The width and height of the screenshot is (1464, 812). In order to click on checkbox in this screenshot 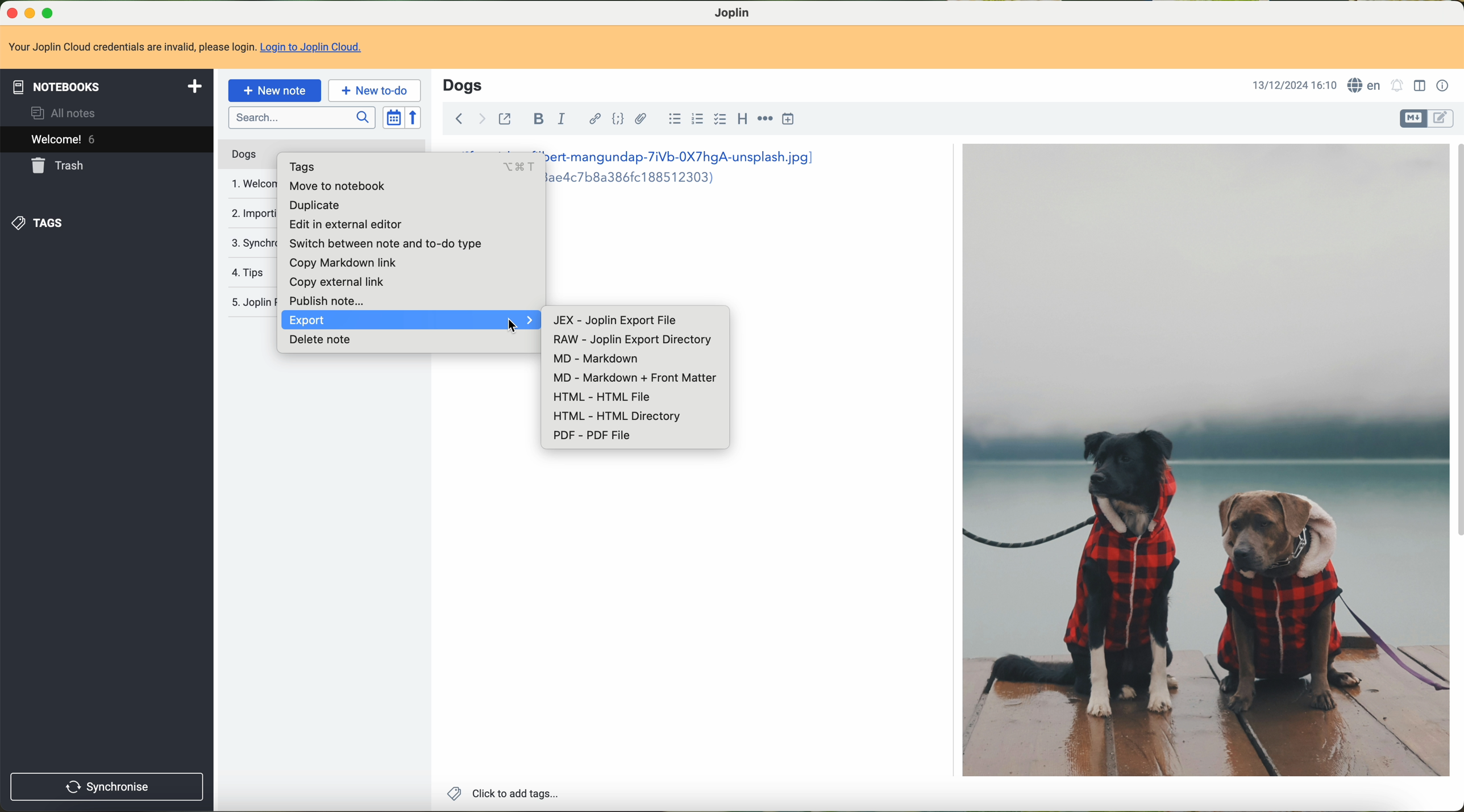, I will do `click(721, 121)`.